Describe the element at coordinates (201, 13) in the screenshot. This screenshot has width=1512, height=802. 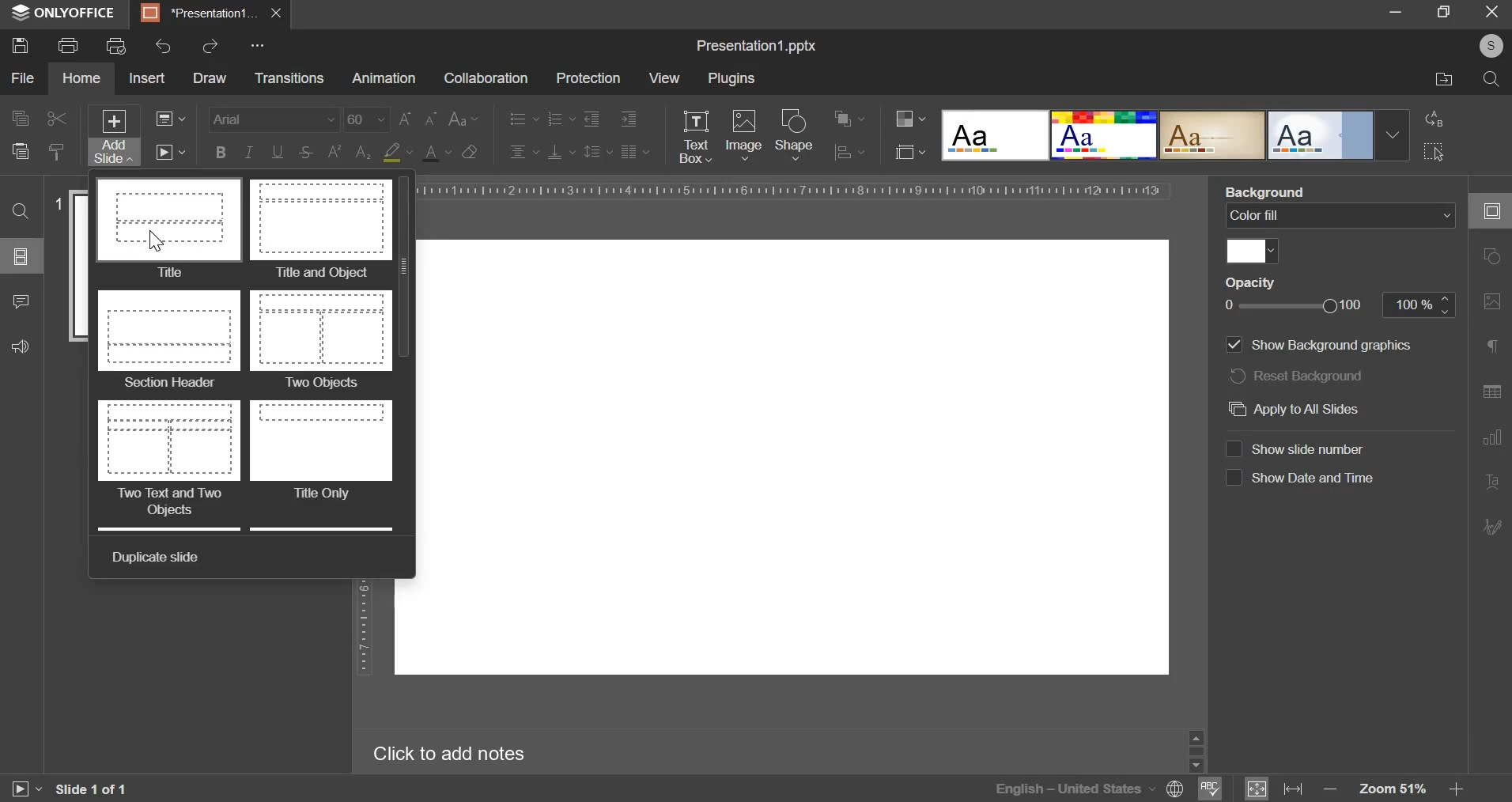
I see `tab 1` at that location.